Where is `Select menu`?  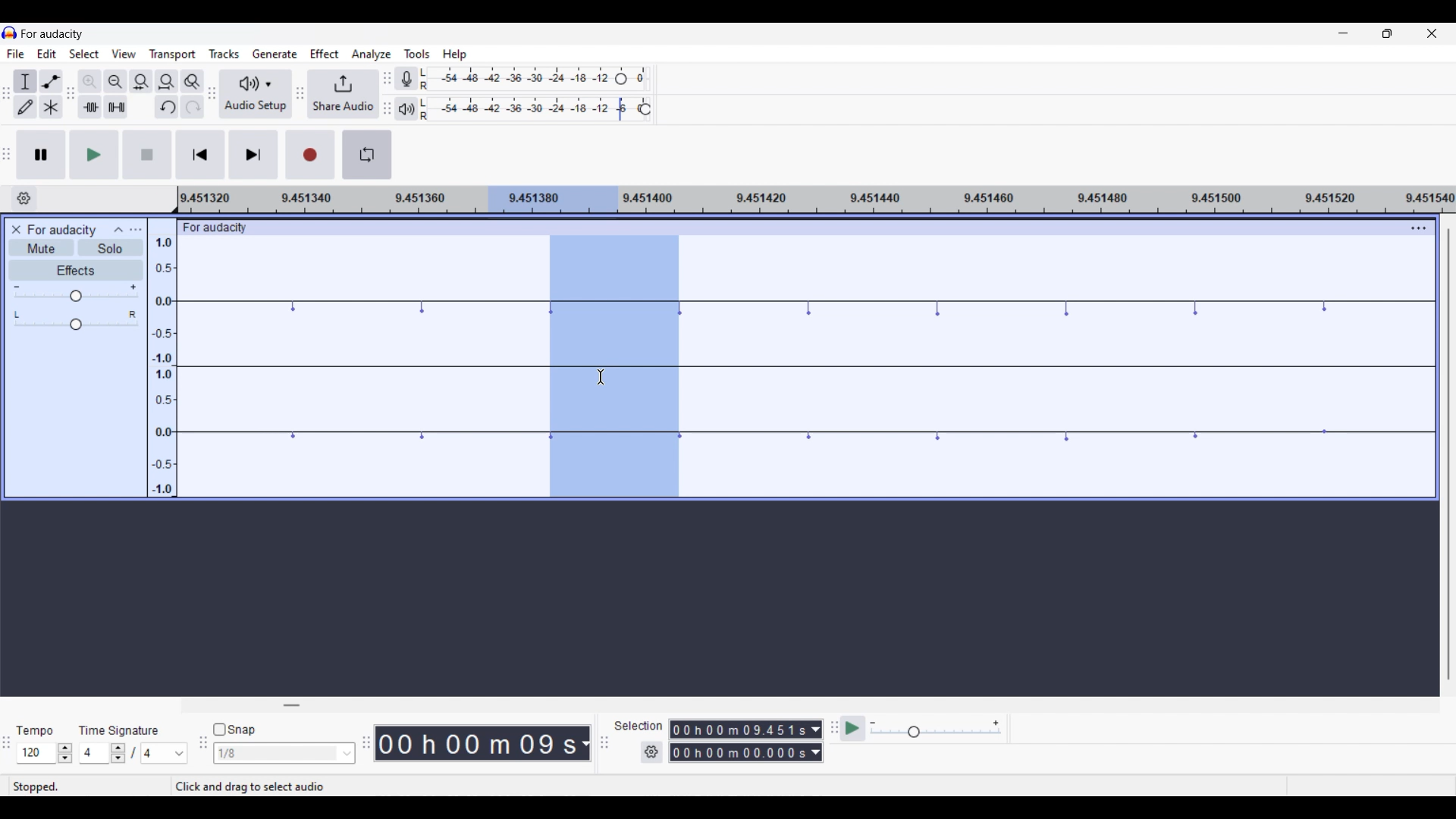 Select menu is located at coordinates (85, 54).